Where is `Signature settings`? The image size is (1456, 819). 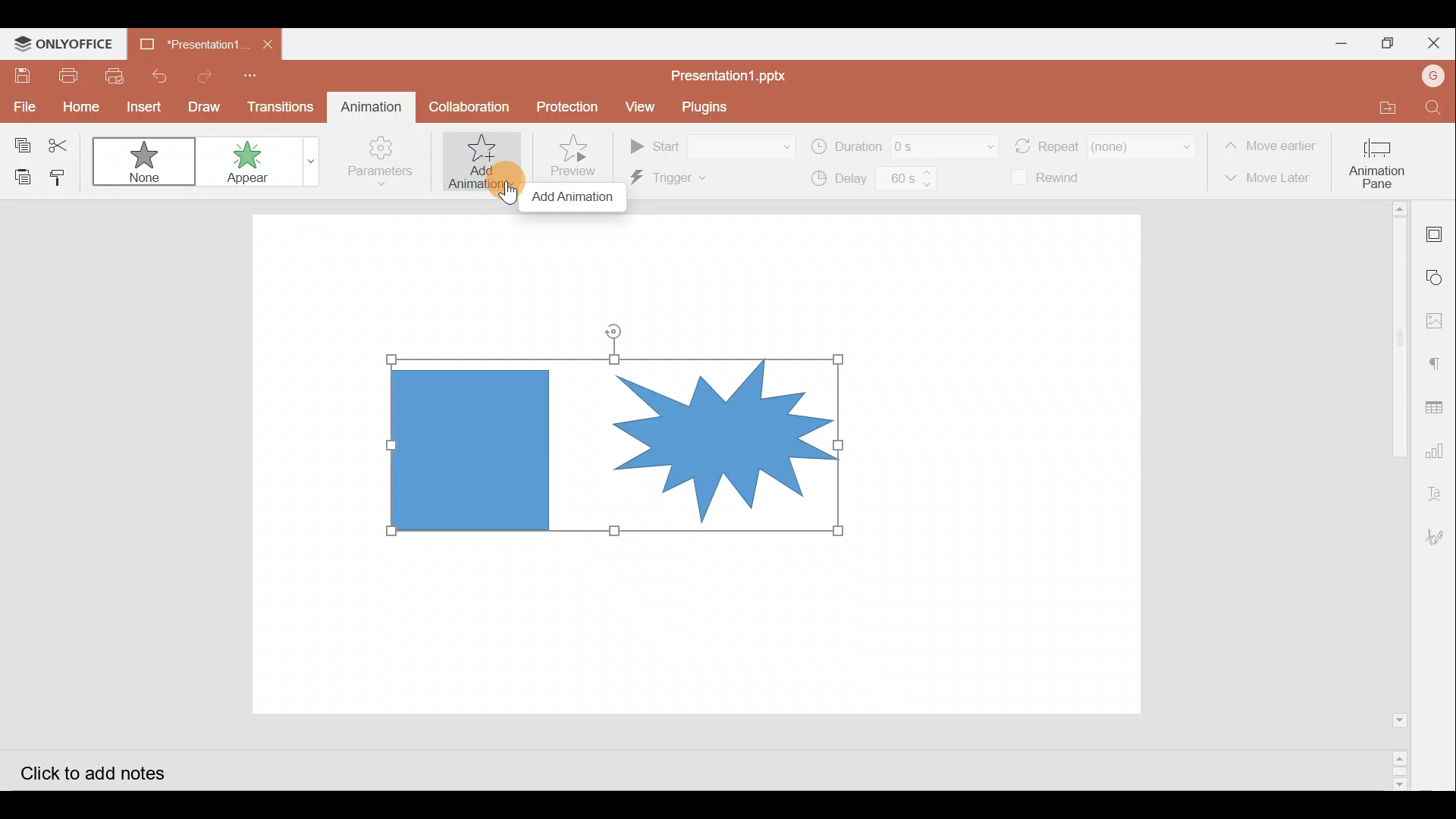
Signature settings is located at coordinates (1438, 535).